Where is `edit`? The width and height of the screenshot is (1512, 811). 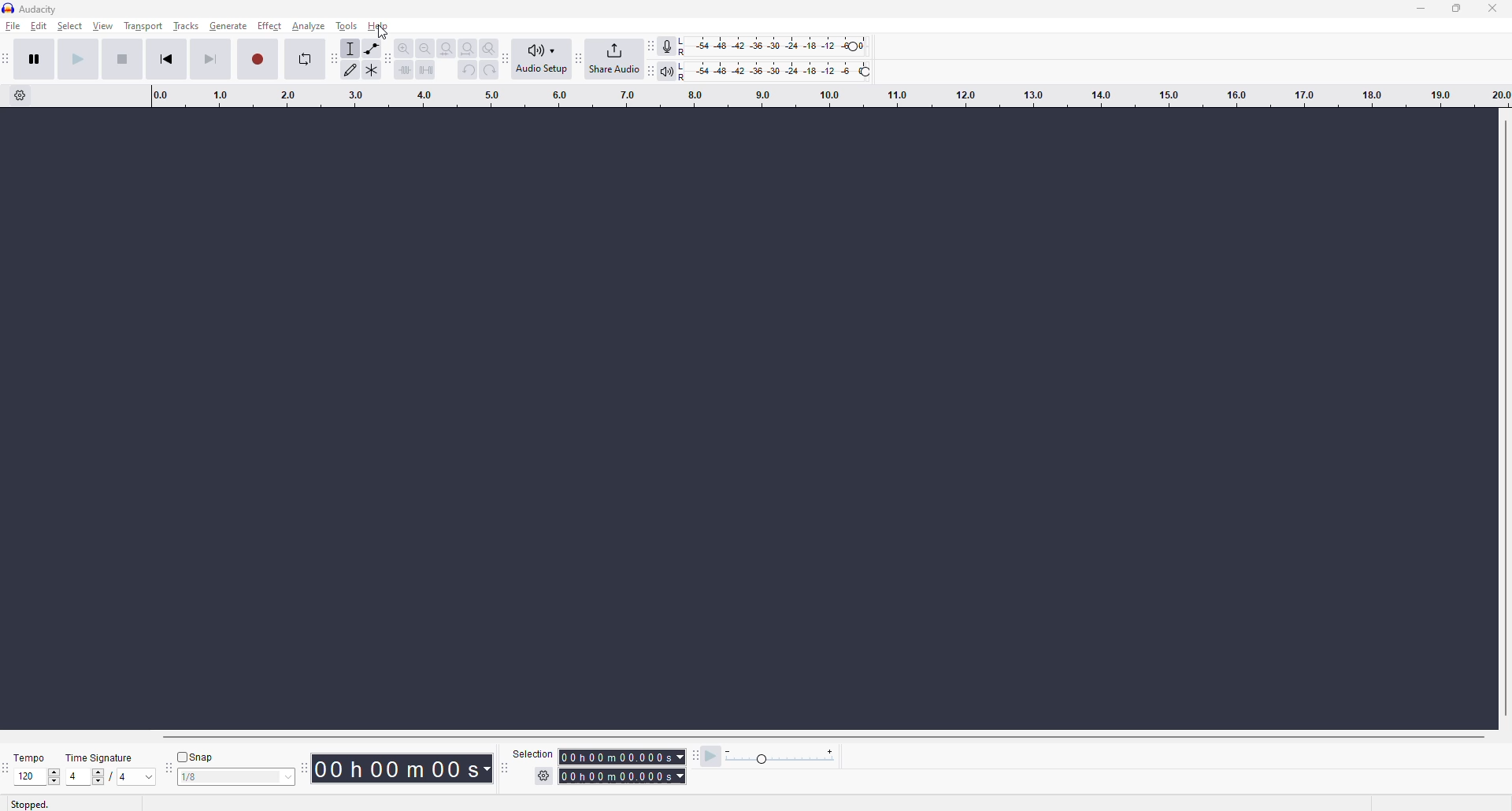
edit is located at coordinates (41, 29).